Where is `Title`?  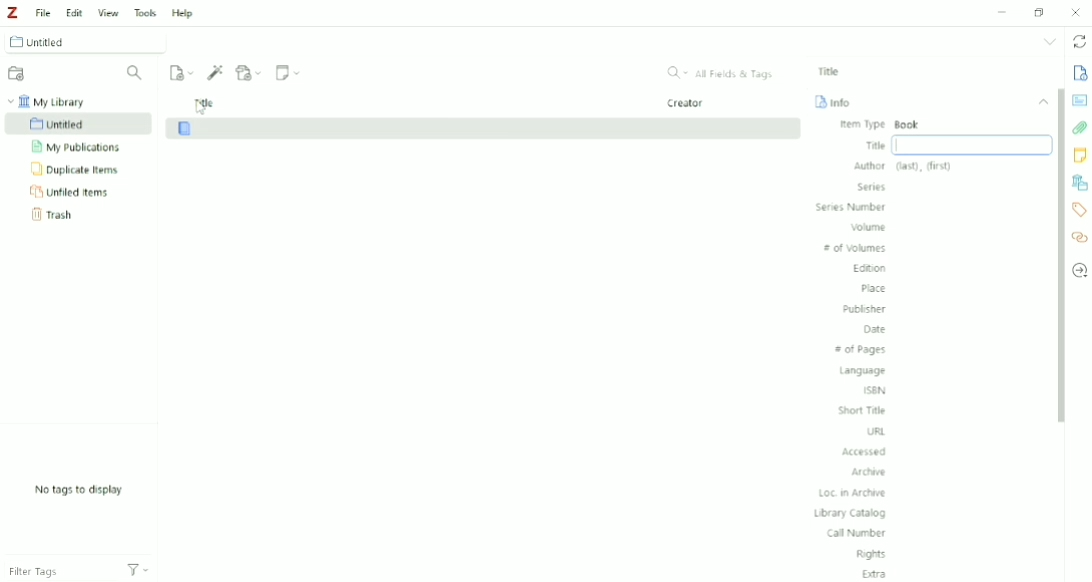
Title is located at coordinates (954, 146).